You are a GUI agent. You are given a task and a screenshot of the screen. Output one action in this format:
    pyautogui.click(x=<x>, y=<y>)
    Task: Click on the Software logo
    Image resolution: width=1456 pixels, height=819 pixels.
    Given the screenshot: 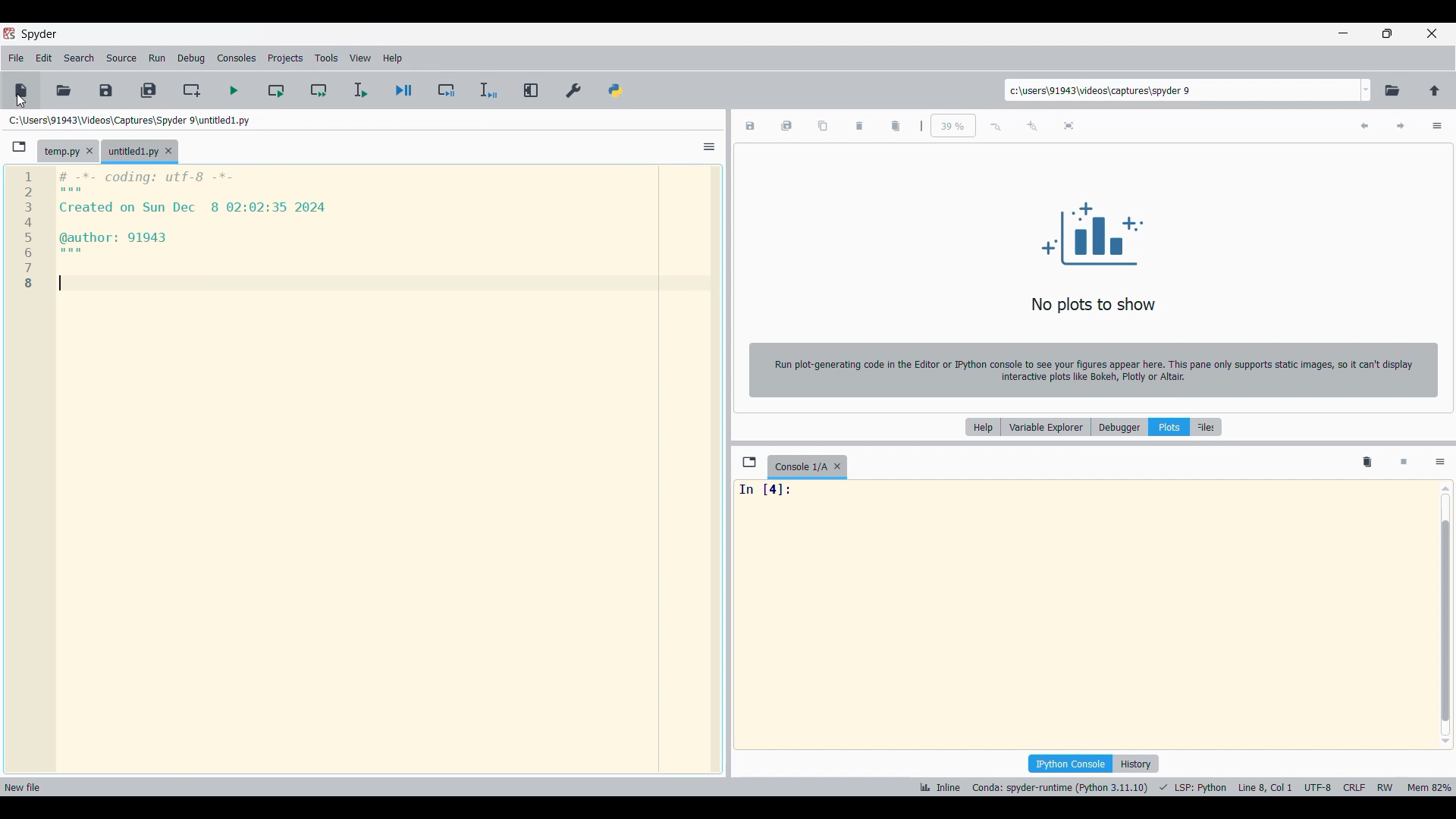 What is the action you would take?
    pyautogui.click(x=9, y=33)
    